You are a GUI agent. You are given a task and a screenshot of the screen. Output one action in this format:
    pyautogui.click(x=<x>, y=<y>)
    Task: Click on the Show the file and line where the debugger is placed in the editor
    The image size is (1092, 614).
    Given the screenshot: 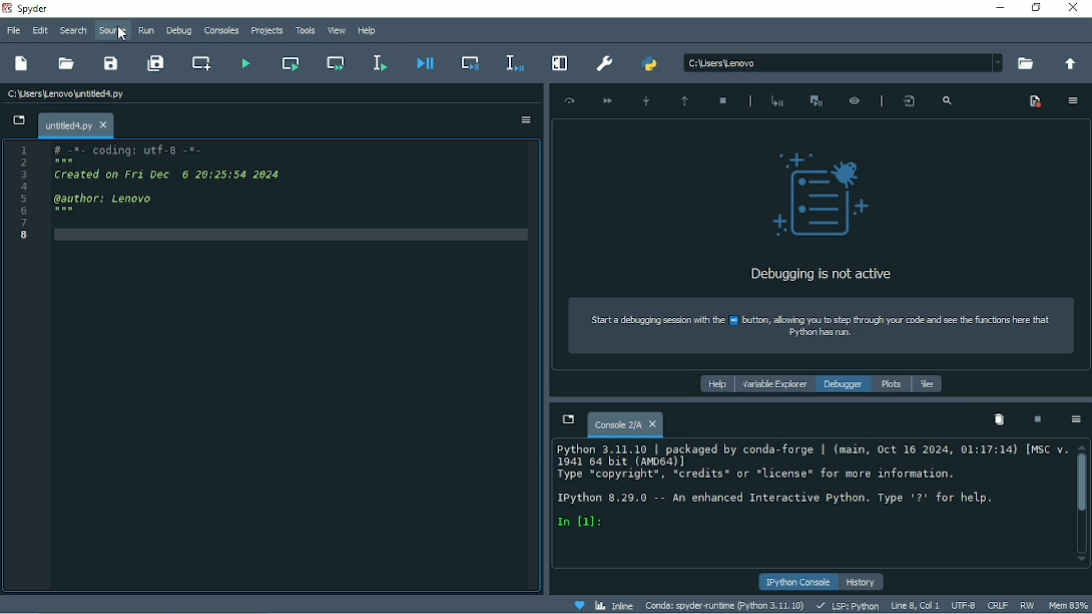 What is the action you would take?
    pyautogui.click(x=907, y=101)
    